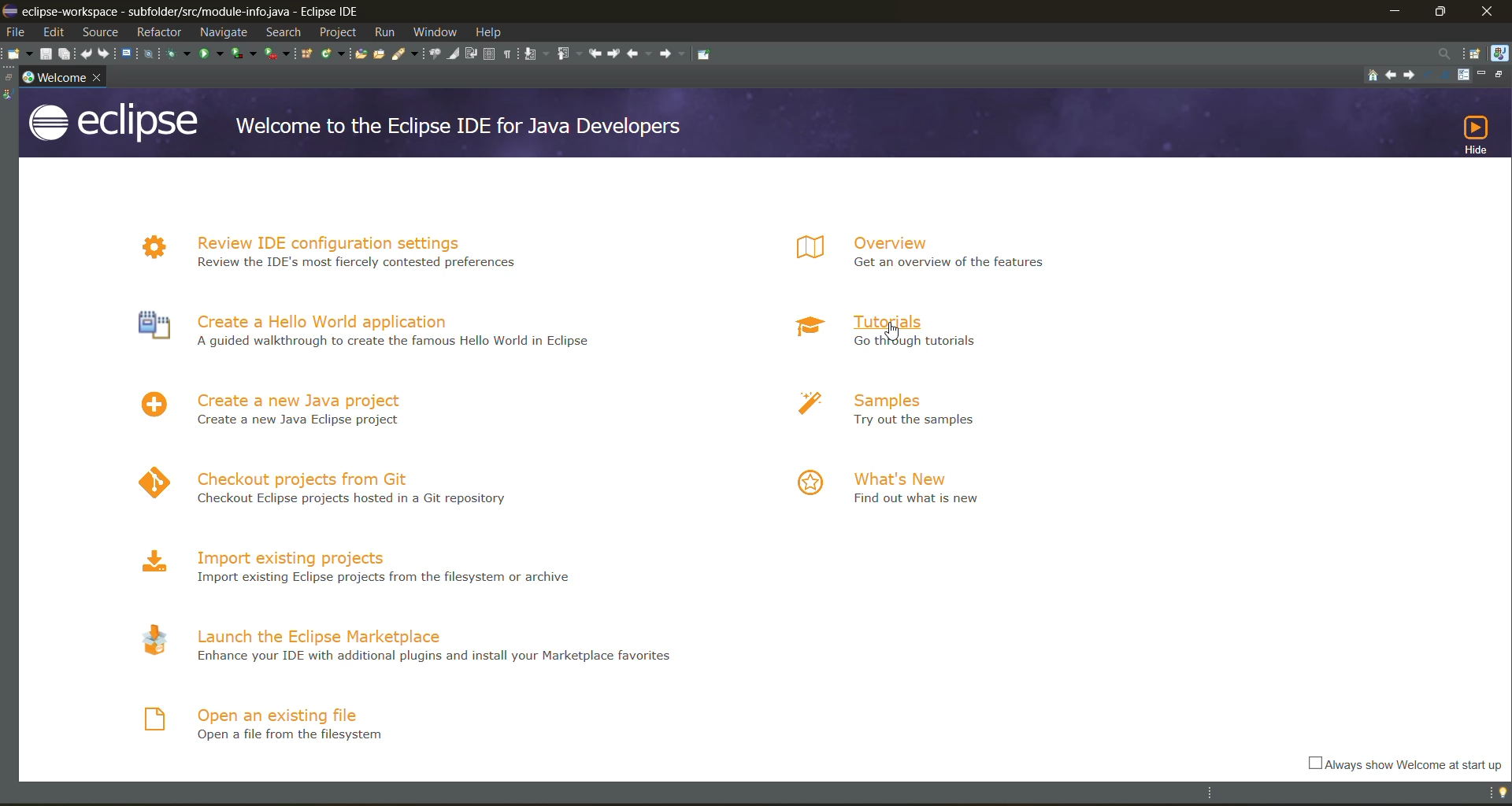  What do you see at coordinates (1443, 9) in the screenshot?
I see `maximize` at bounding box center [1443, 9].